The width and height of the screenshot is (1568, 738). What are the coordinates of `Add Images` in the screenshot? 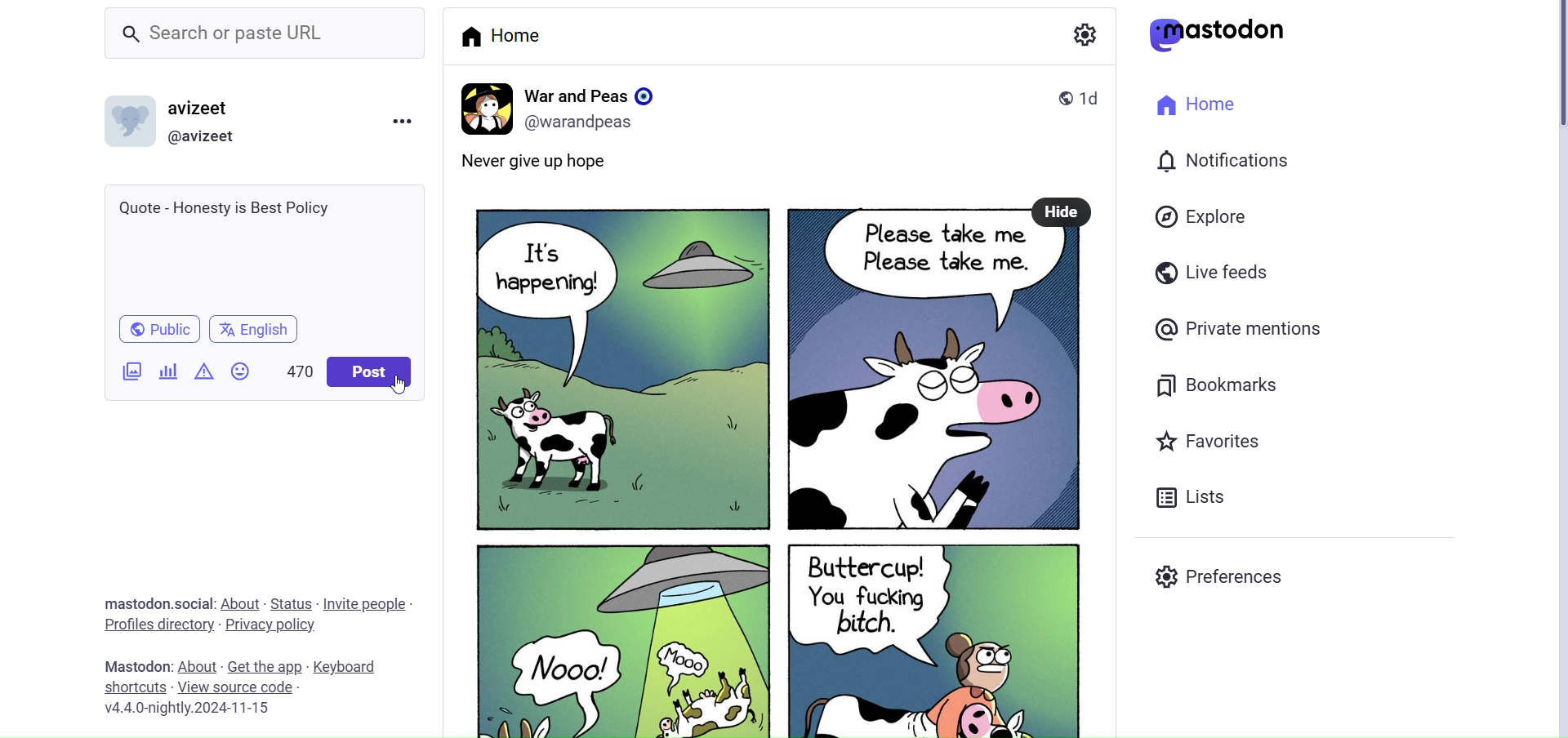 It's located at (131, 370).